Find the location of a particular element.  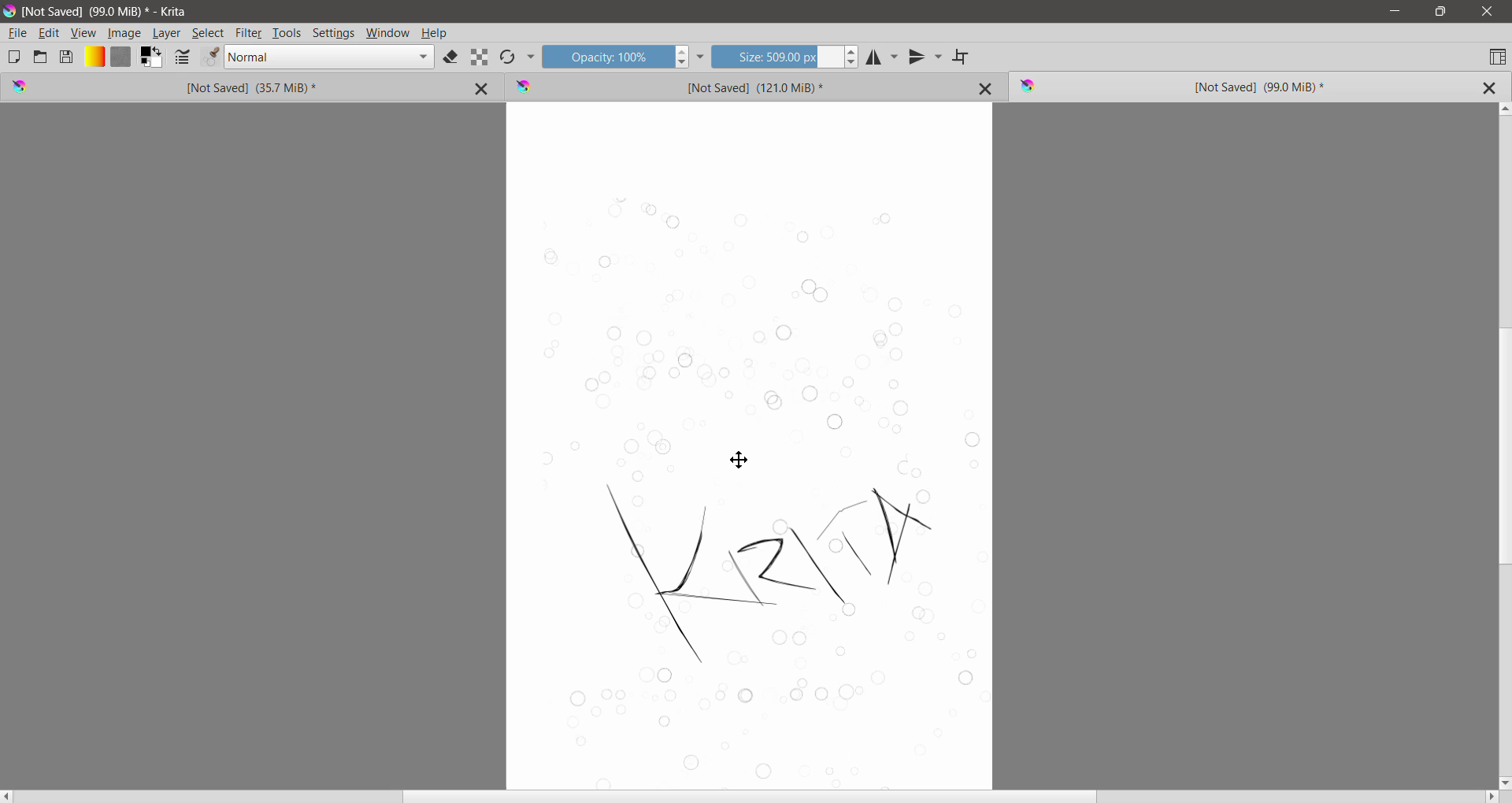

Wrap Around Mode is located at coordinates (962, 57).